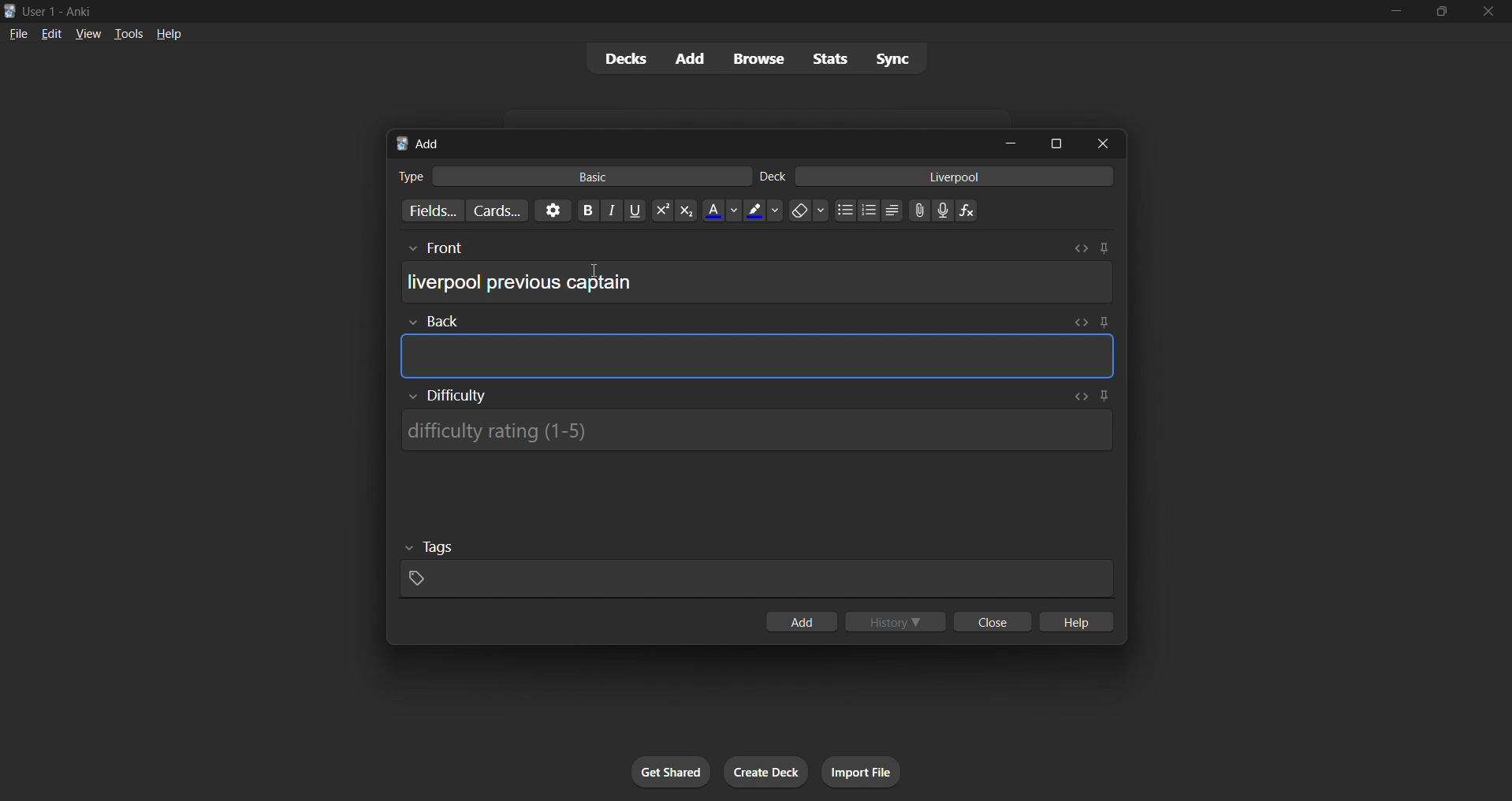 Image resolution: width=1512 pixels, height=801 pixels. I want to click on file, so click(15, 33).